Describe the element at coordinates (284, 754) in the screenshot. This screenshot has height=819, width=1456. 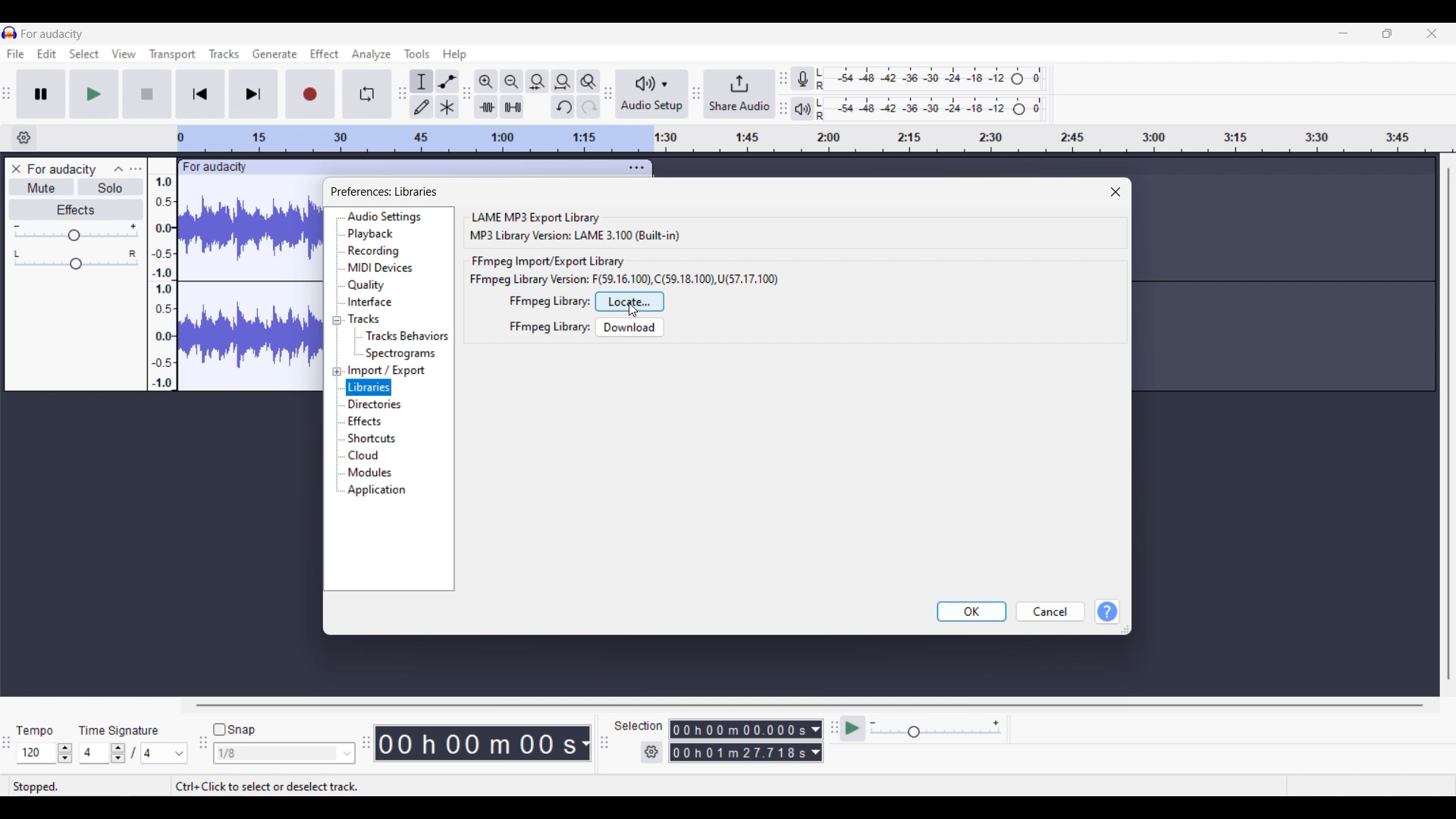
I see `Snap options` at that location.